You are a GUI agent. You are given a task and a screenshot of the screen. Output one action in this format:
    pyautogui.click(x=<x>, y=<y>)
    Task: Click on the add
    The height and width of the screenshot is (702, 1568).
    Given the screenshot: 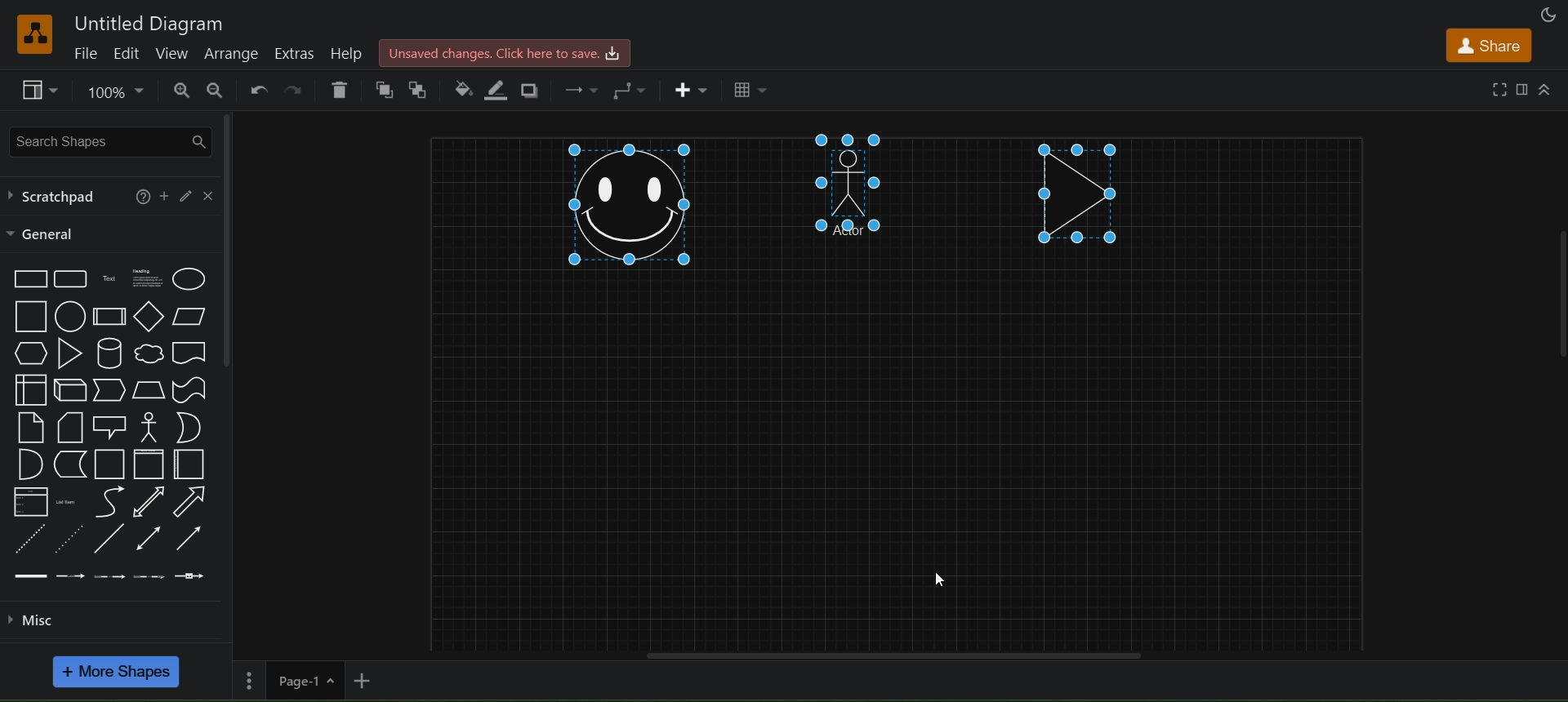 What is the action you would take?
    pyautogui.click(x=164, y=195)
    